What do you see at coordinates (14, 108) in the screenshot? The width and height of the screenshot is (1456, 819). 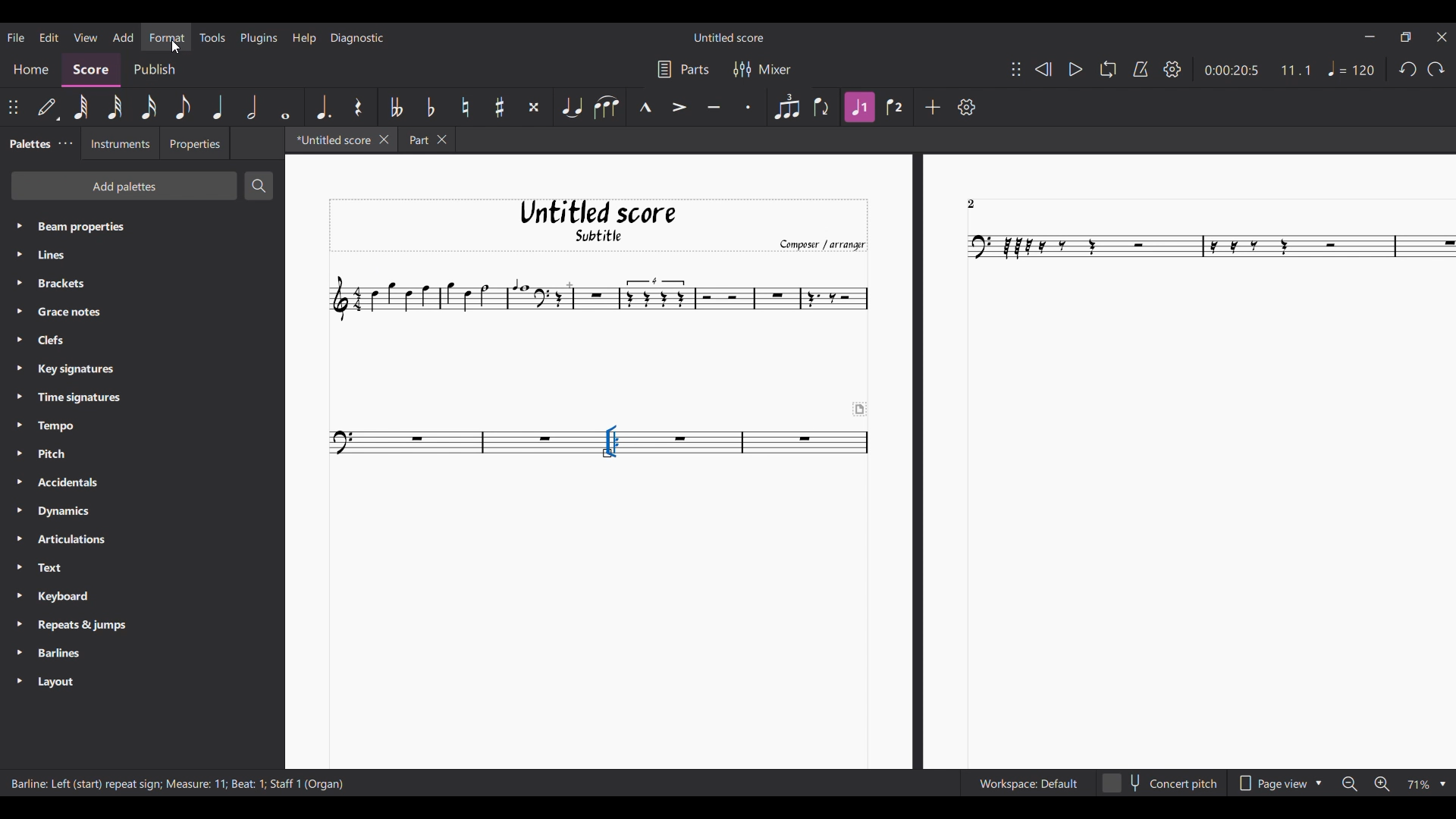 I see `Change toolbar position` at bounding box center [14, 108].